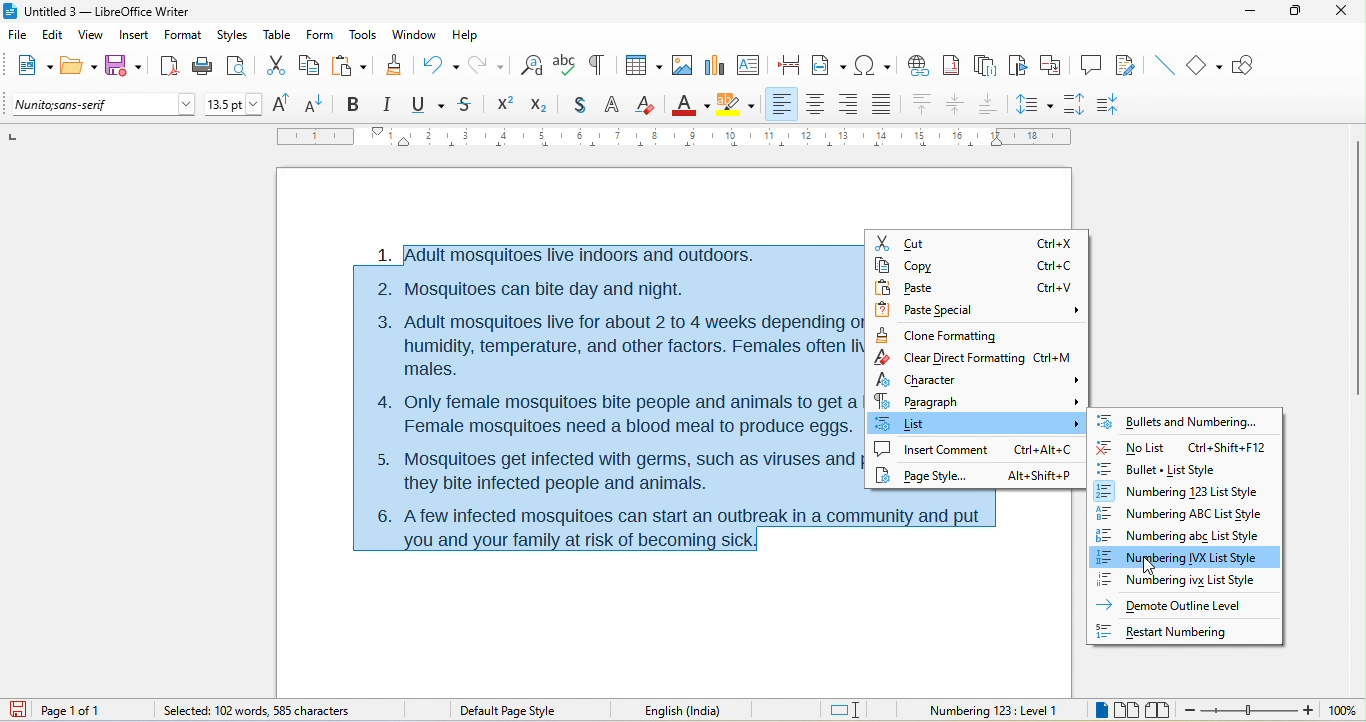 The height and width of the screenshot is (722, 1366). What do you see at coordinates (642, 63) in the screenshot?
I see `table` at bounding box center [642, 63].